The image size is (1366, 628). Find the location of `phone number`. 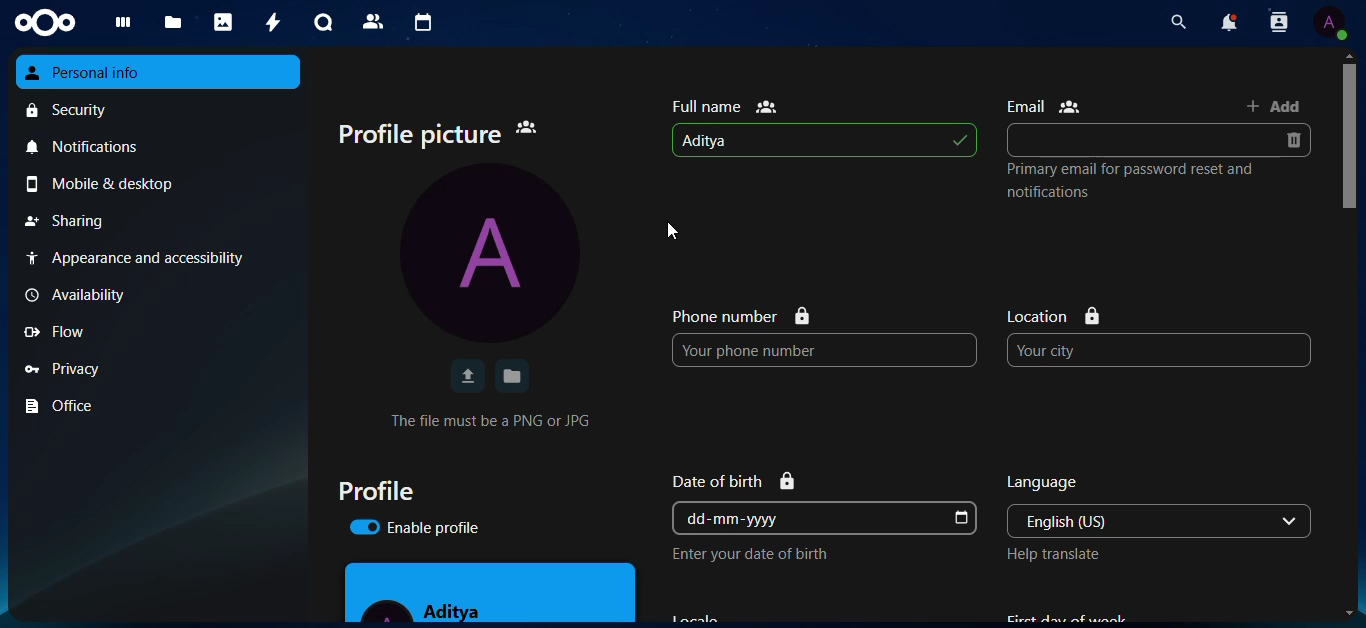

phone number is located at coordinates (741, 315).